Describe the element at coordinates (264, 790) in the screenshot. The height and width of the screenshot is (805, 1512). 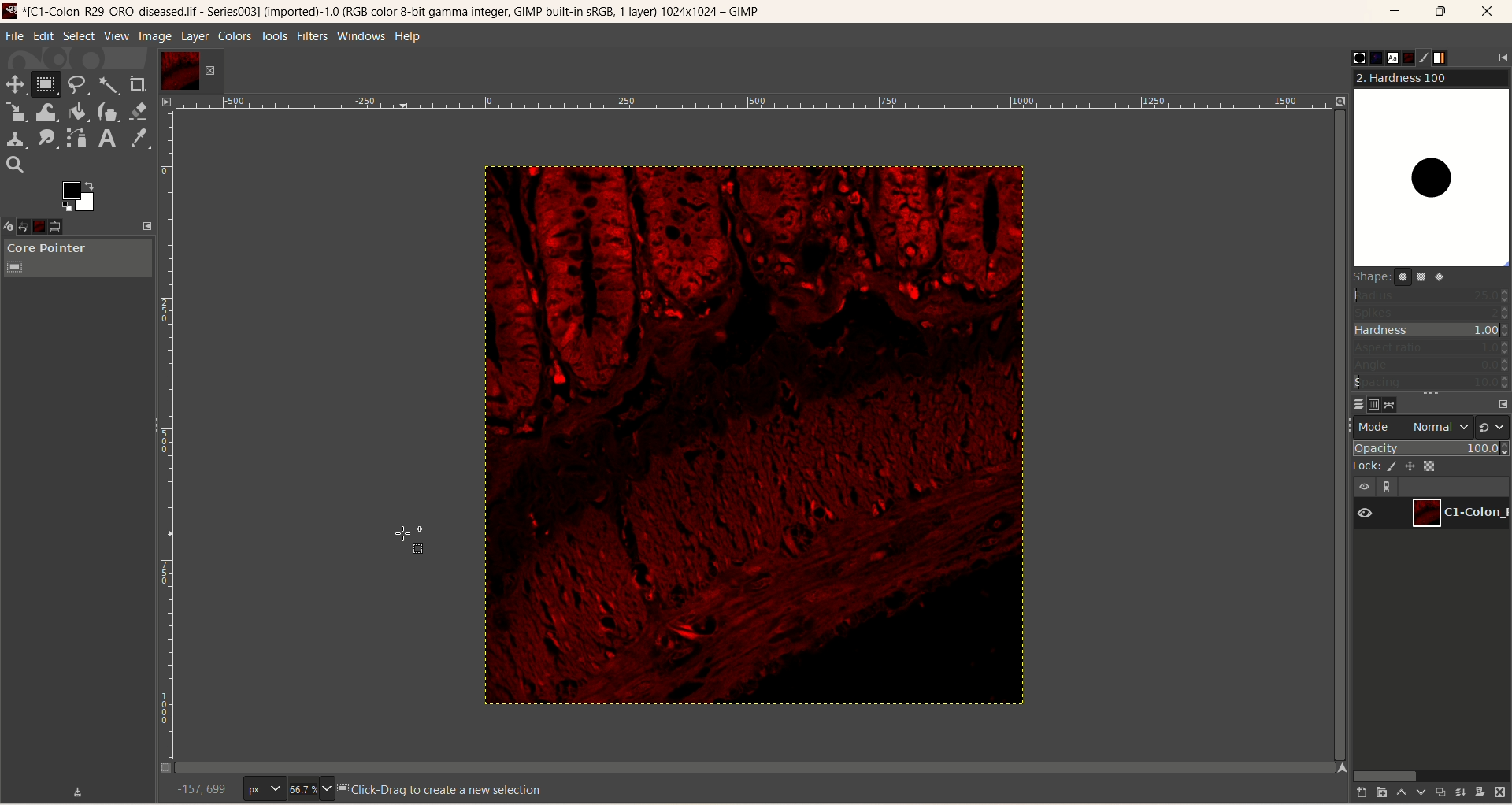
I see `pixel` at that location.